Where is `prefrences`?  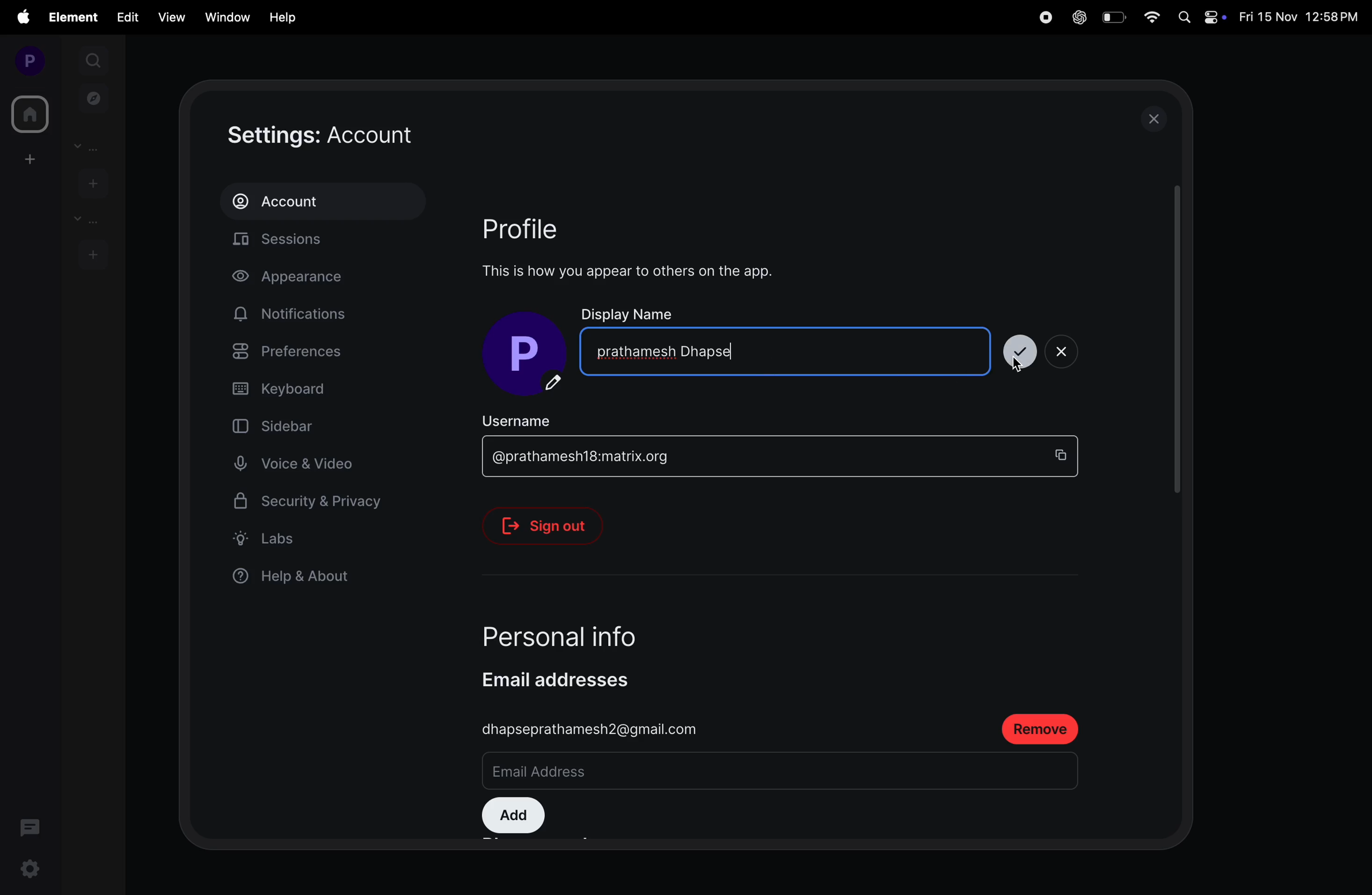 prefrences is located at coordinates (314, 354).